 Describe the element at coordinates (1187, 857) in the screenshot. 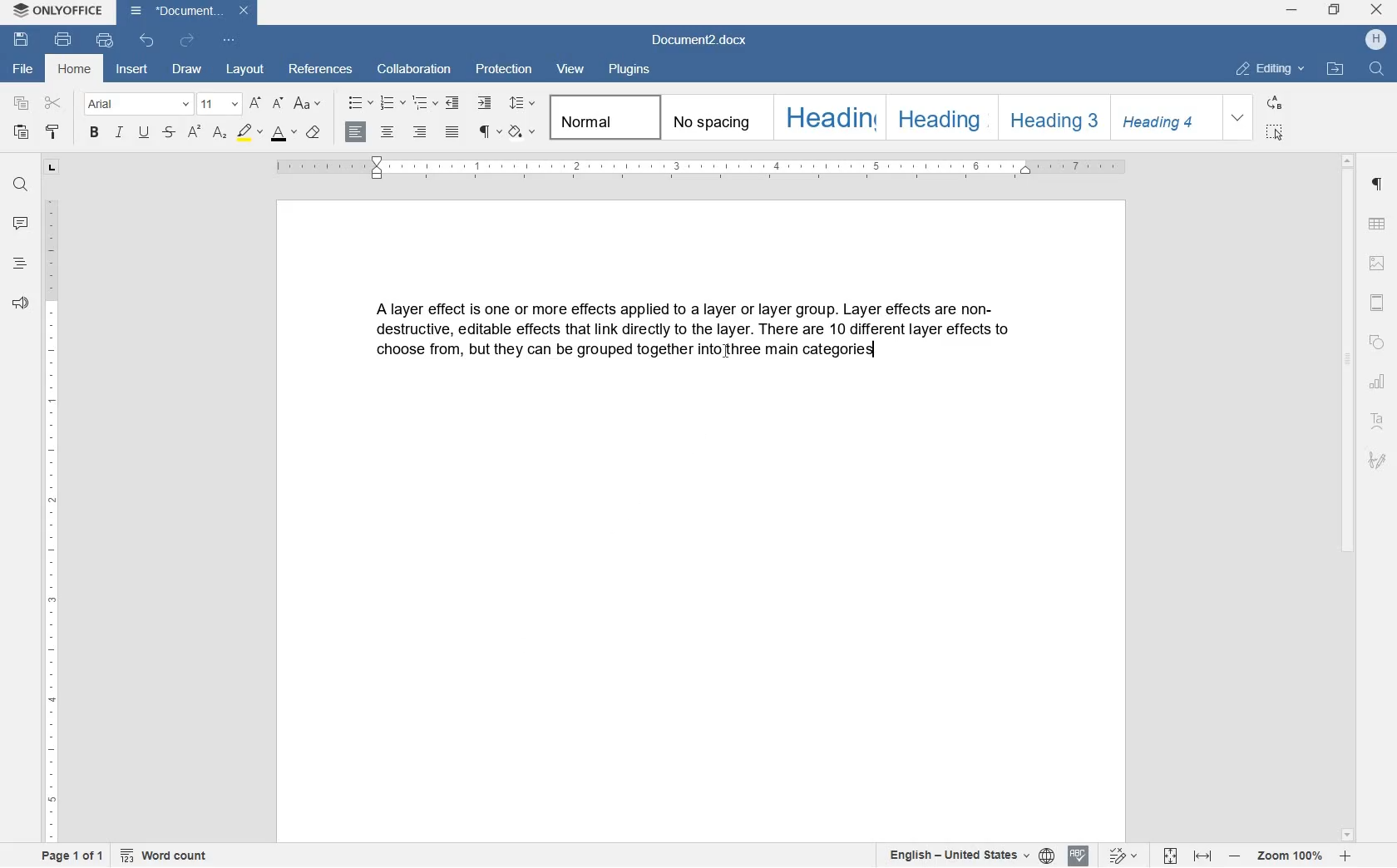

I see `fit to page or width` at that location.